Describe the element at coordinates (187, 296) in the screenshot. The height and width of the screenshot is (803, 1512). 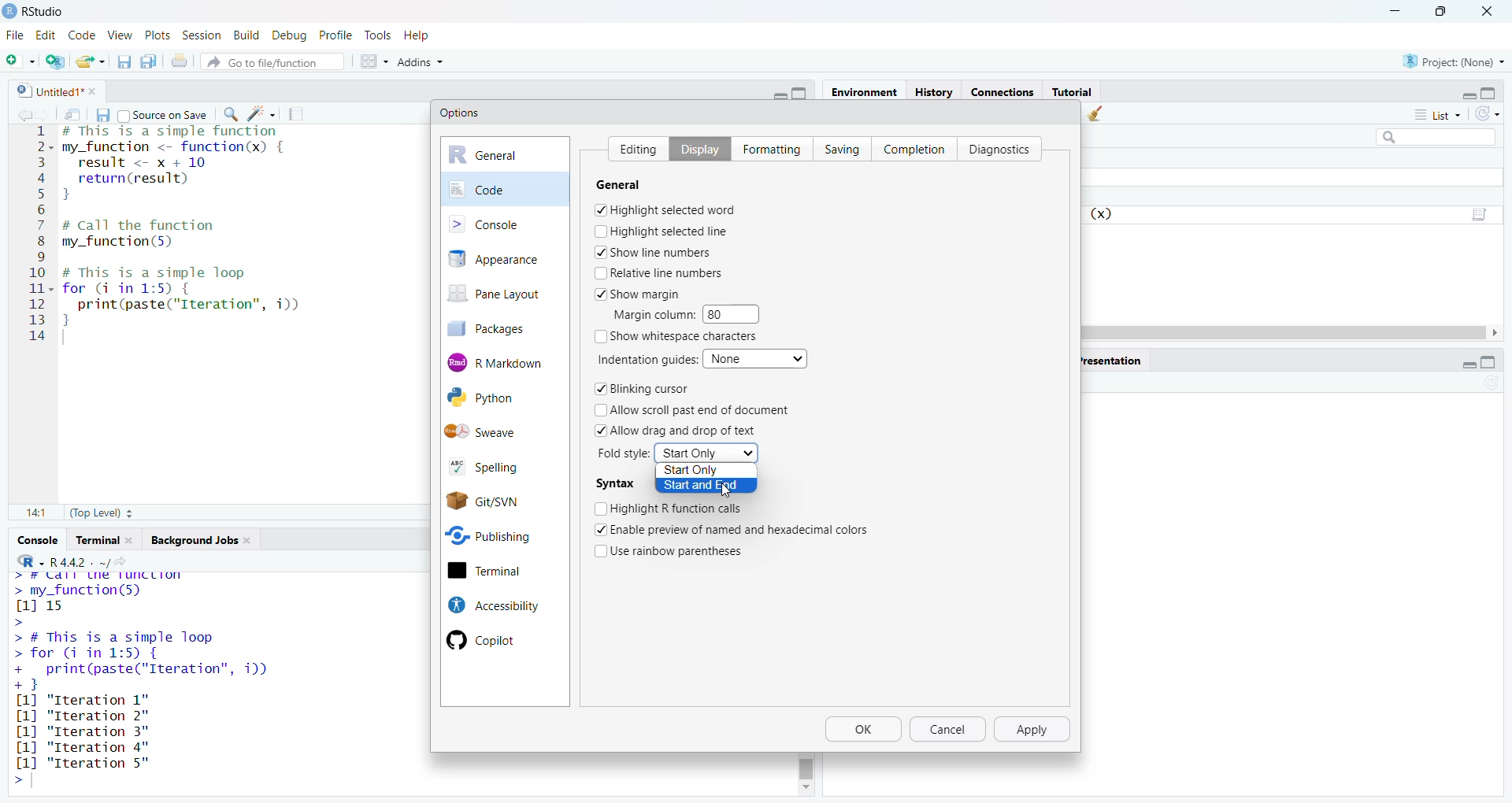
I see `code of a simple loop` at that location.